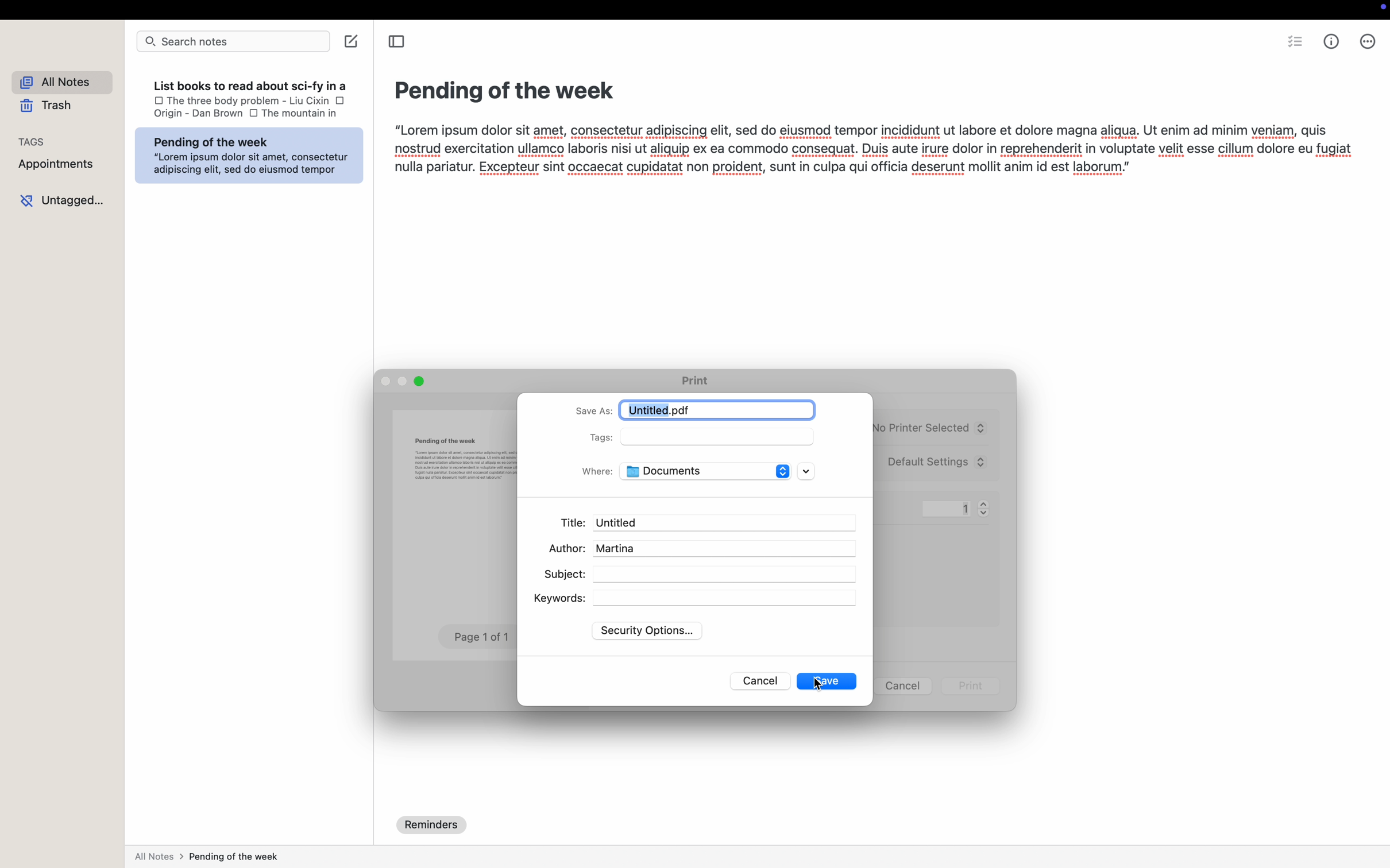  What do you see at coordinates (971, 688) in the screenshot?
I see ` print` at bounding box center [971, 688].